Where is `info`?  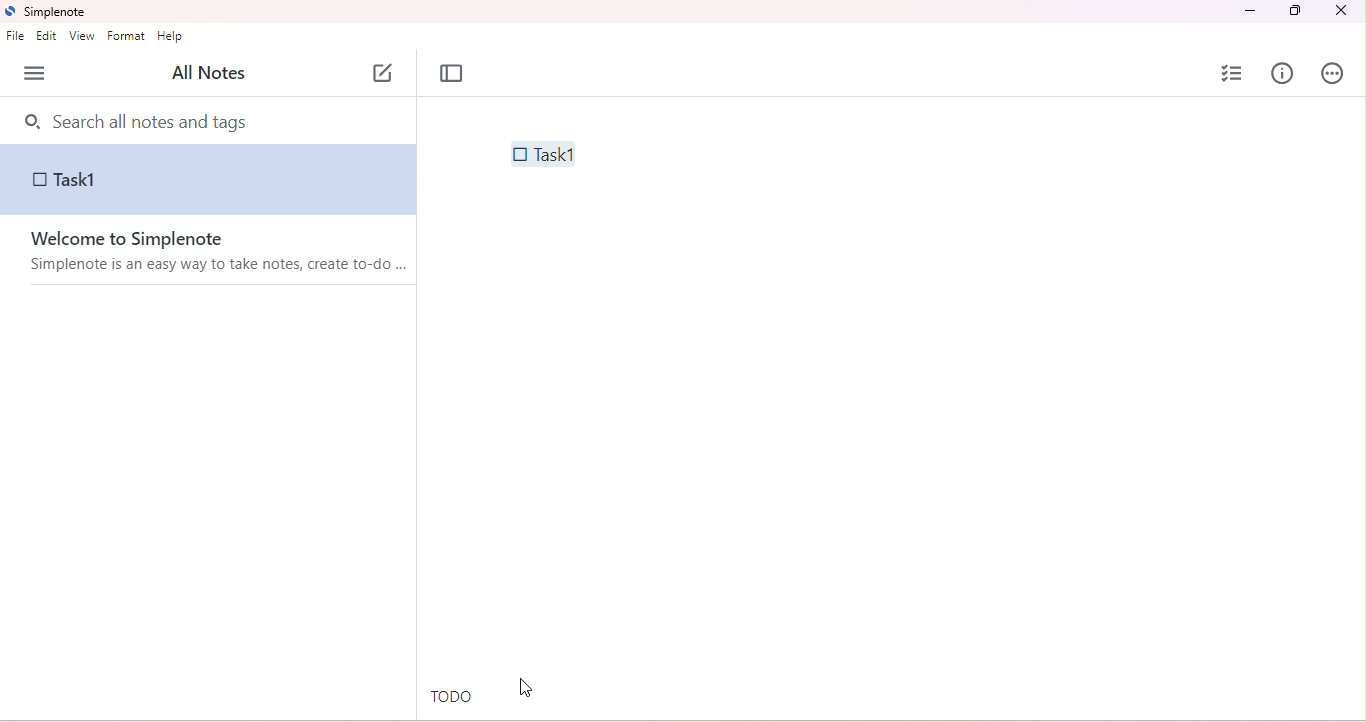 info is located at coordinates (1283, 73).